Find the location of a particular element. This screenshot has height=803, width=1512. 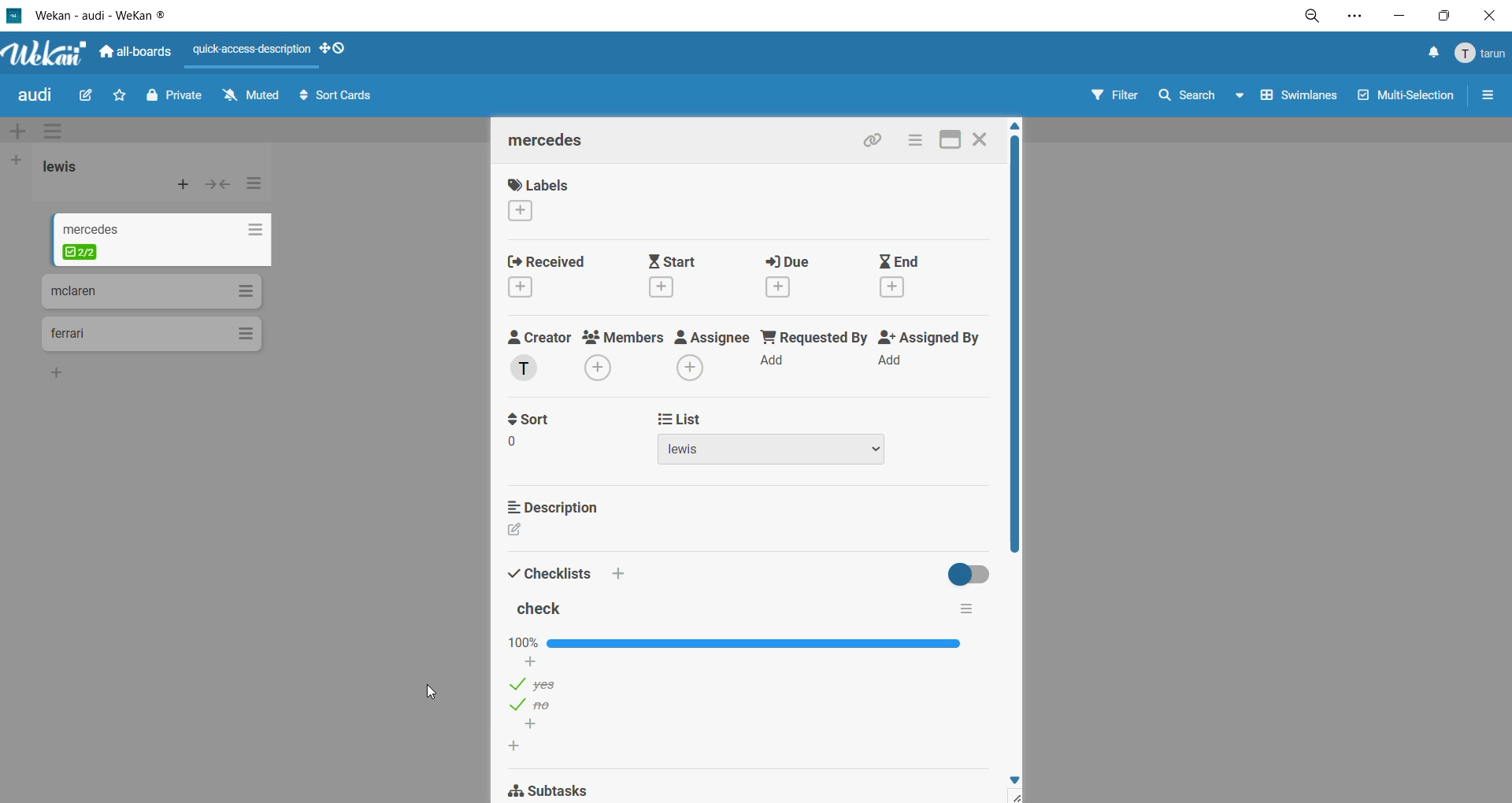

close is located at coordinates (984, 140).